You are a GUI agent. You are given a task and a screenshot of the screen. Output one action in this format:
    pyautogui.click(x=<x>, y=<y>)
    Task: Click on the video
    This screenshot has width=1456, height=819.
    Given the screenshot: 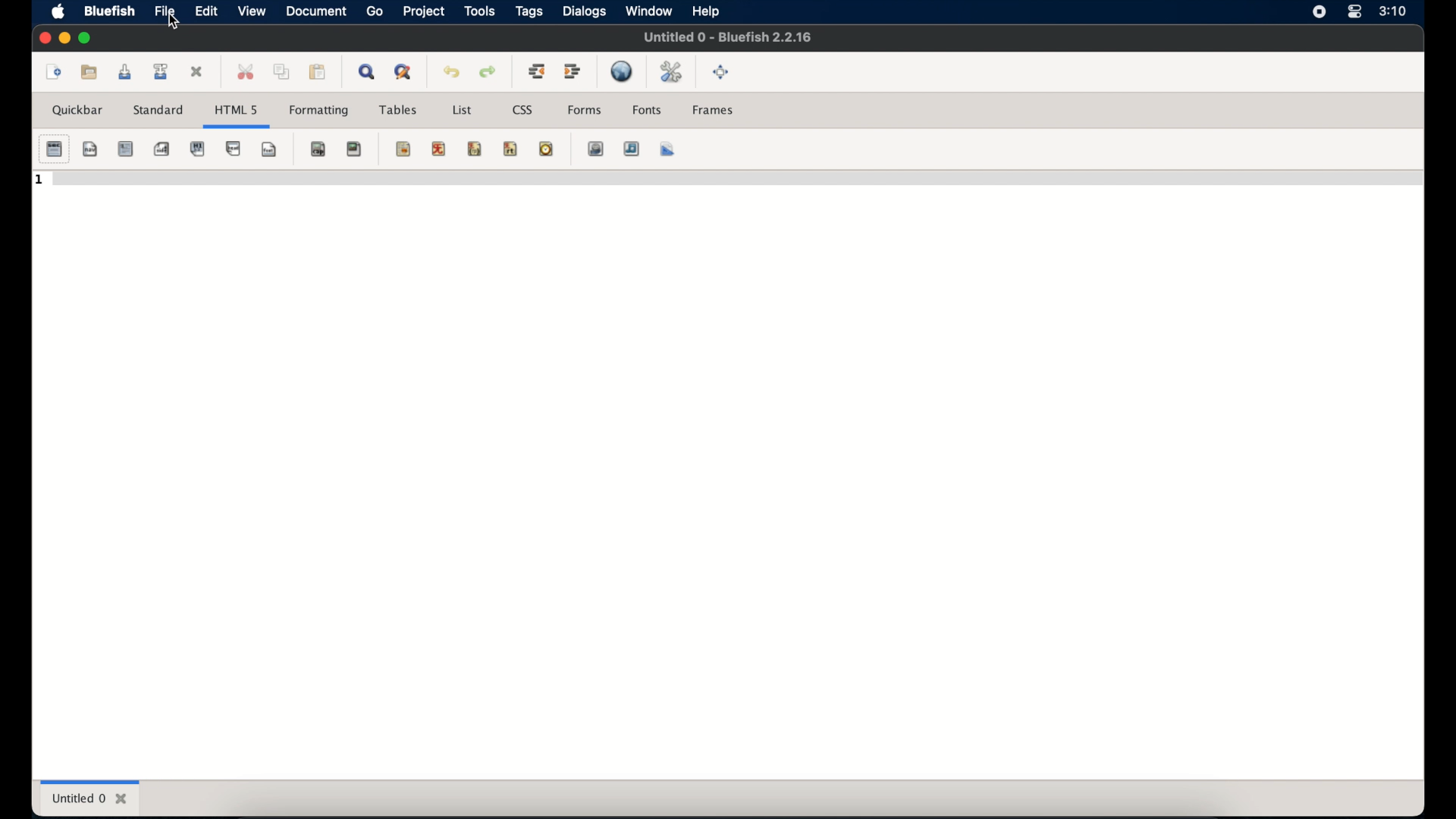 What is the action you would take?
    pyautogui.click(x=597, y=149)
    